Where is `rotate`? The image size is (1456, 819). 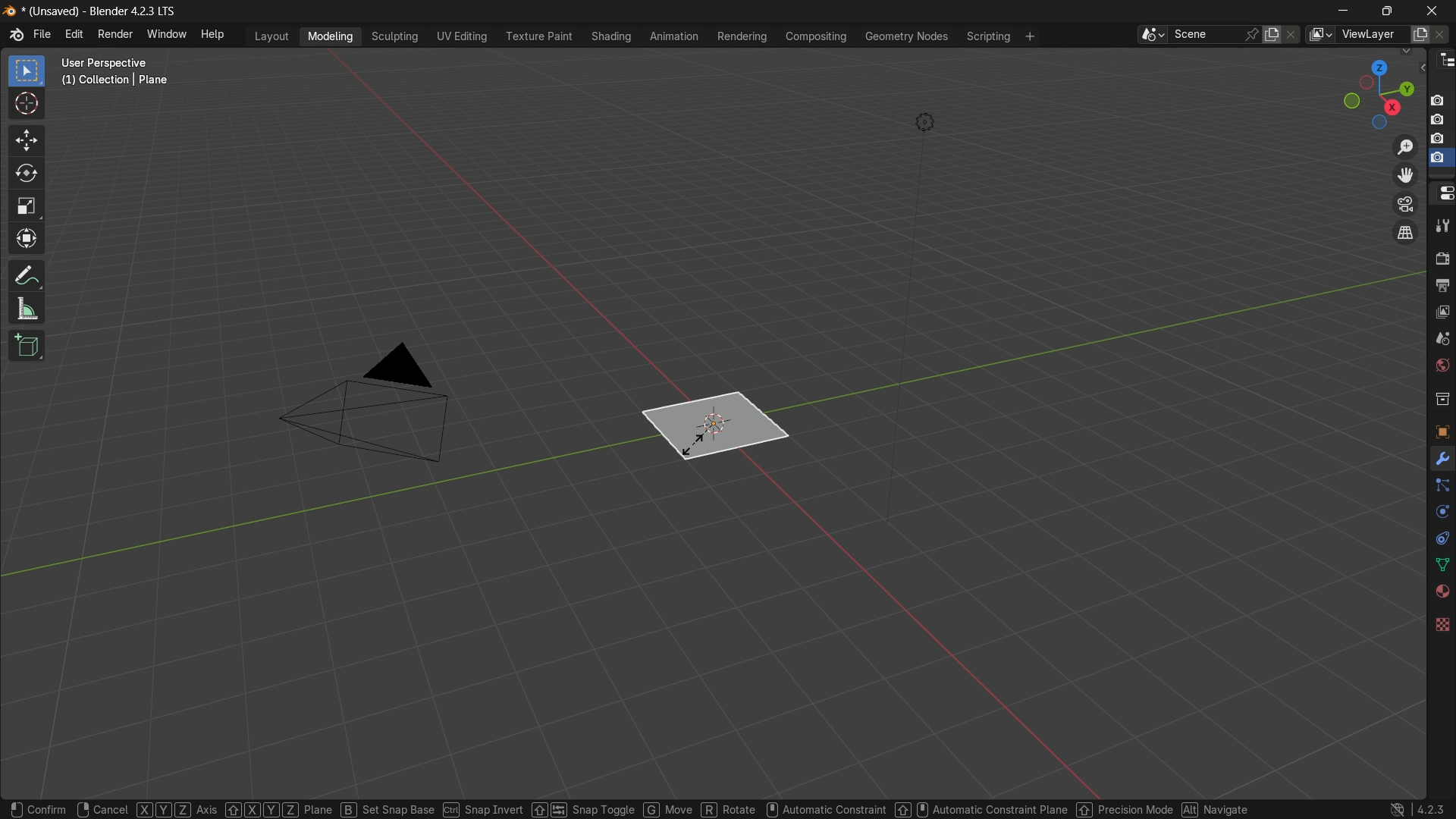
rotate is located at coordinates (28, 174).